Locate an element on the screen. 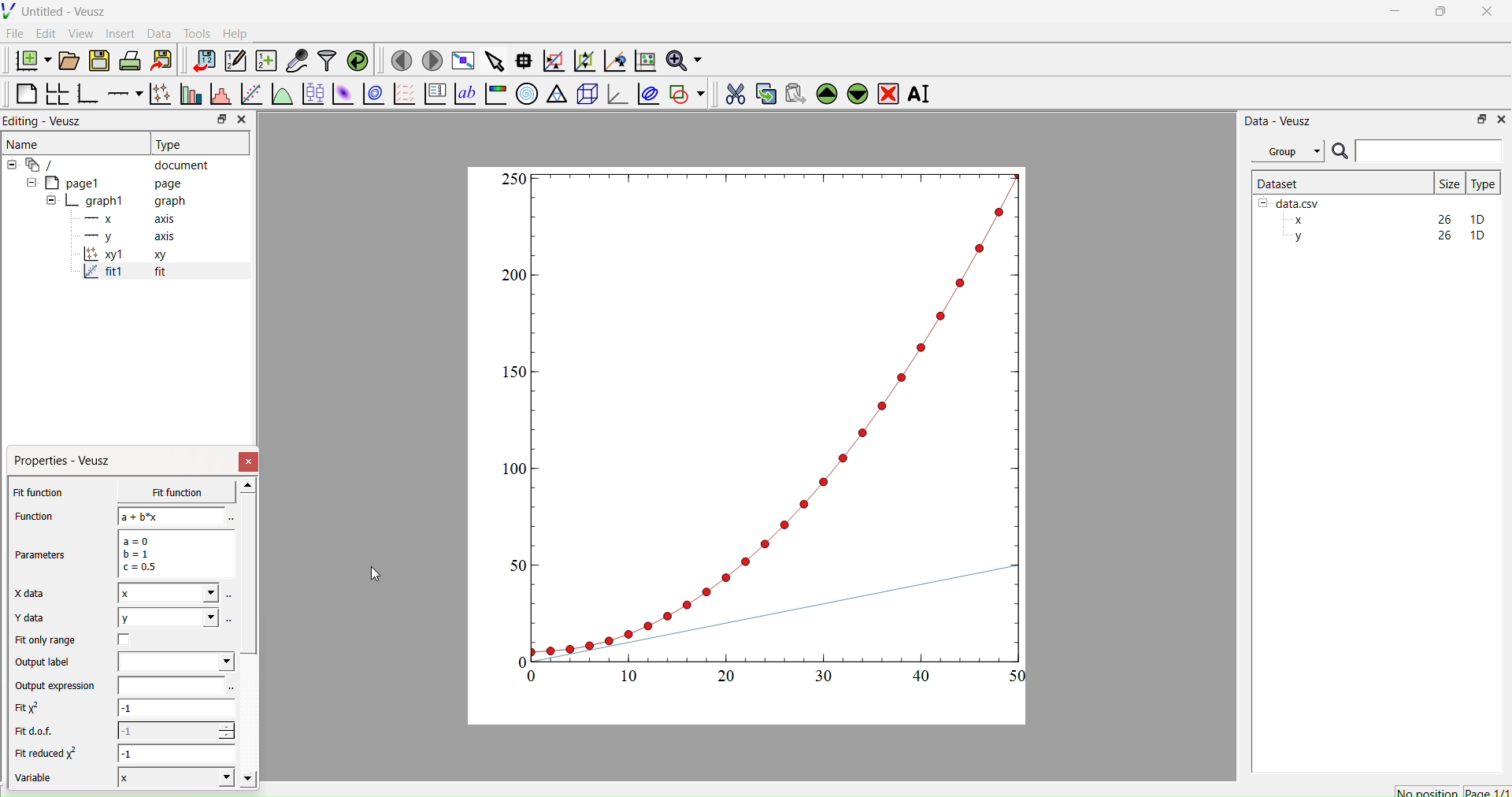 This screenshot has height=797, width=1512. Rename is located at coordinates (922, 94).